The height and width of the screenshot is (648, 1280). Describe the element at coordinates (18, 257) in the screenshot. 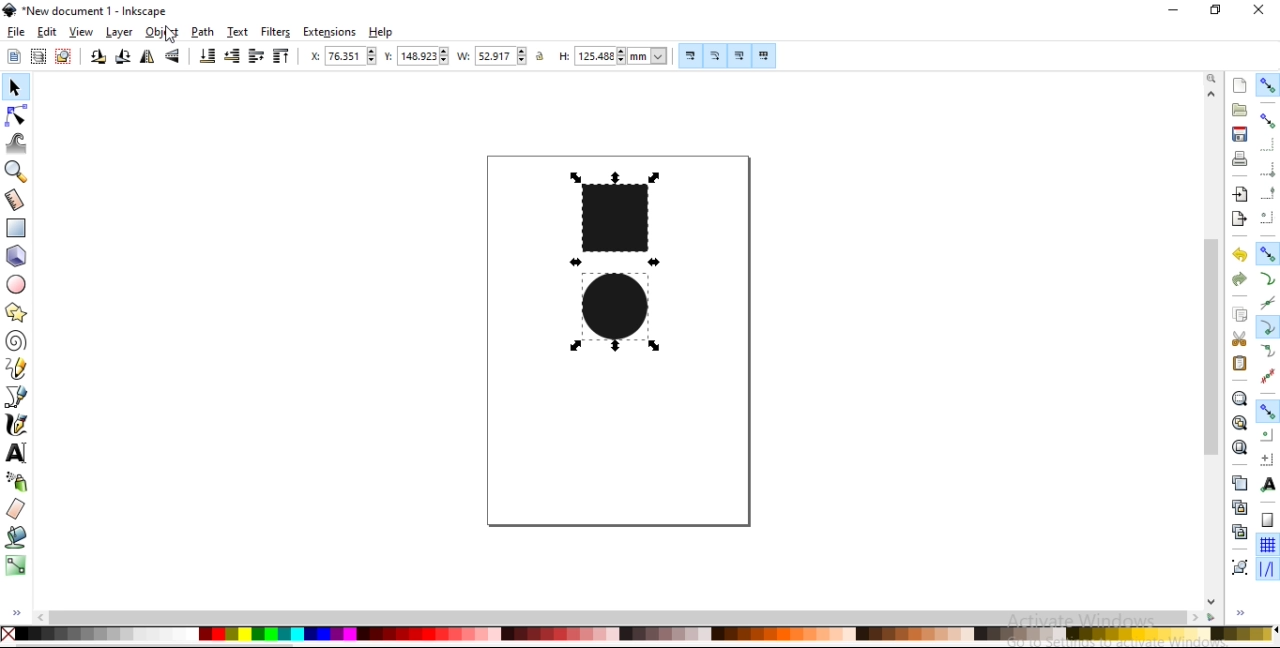

I see `create 3d boxes` at that location.